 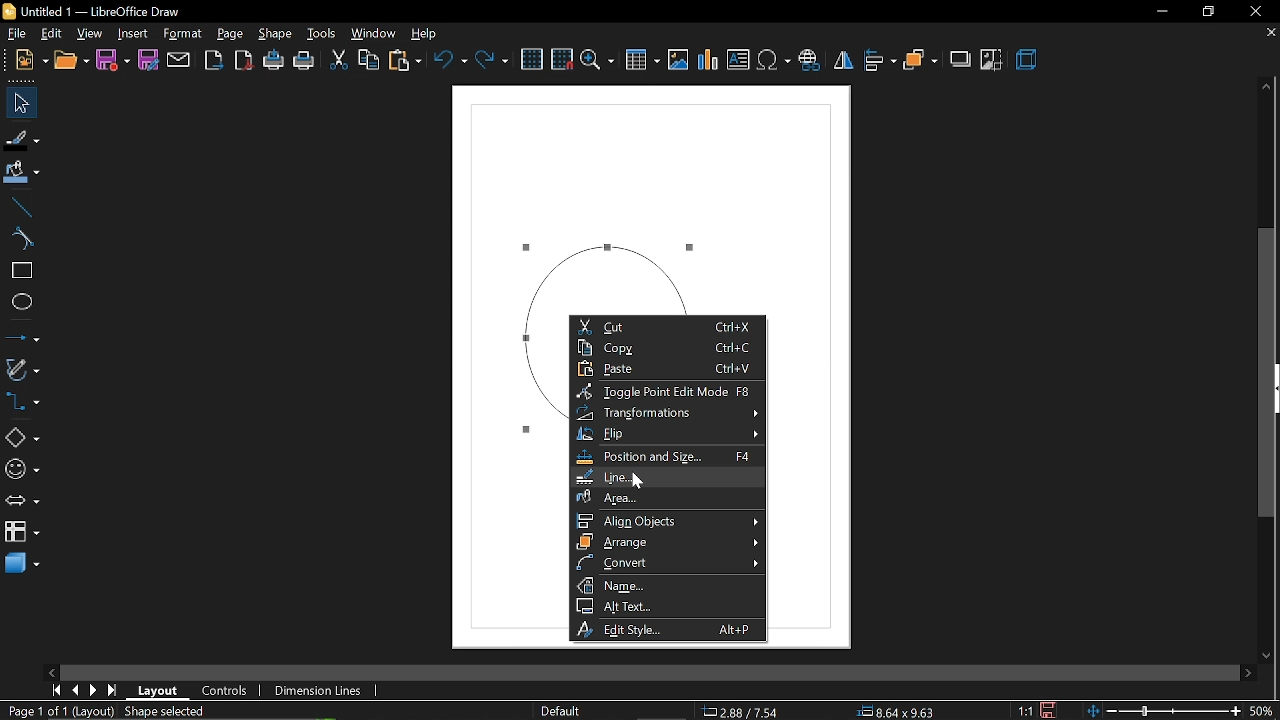 I want to click on 8.64x9.63, so click(x=903, y=713).